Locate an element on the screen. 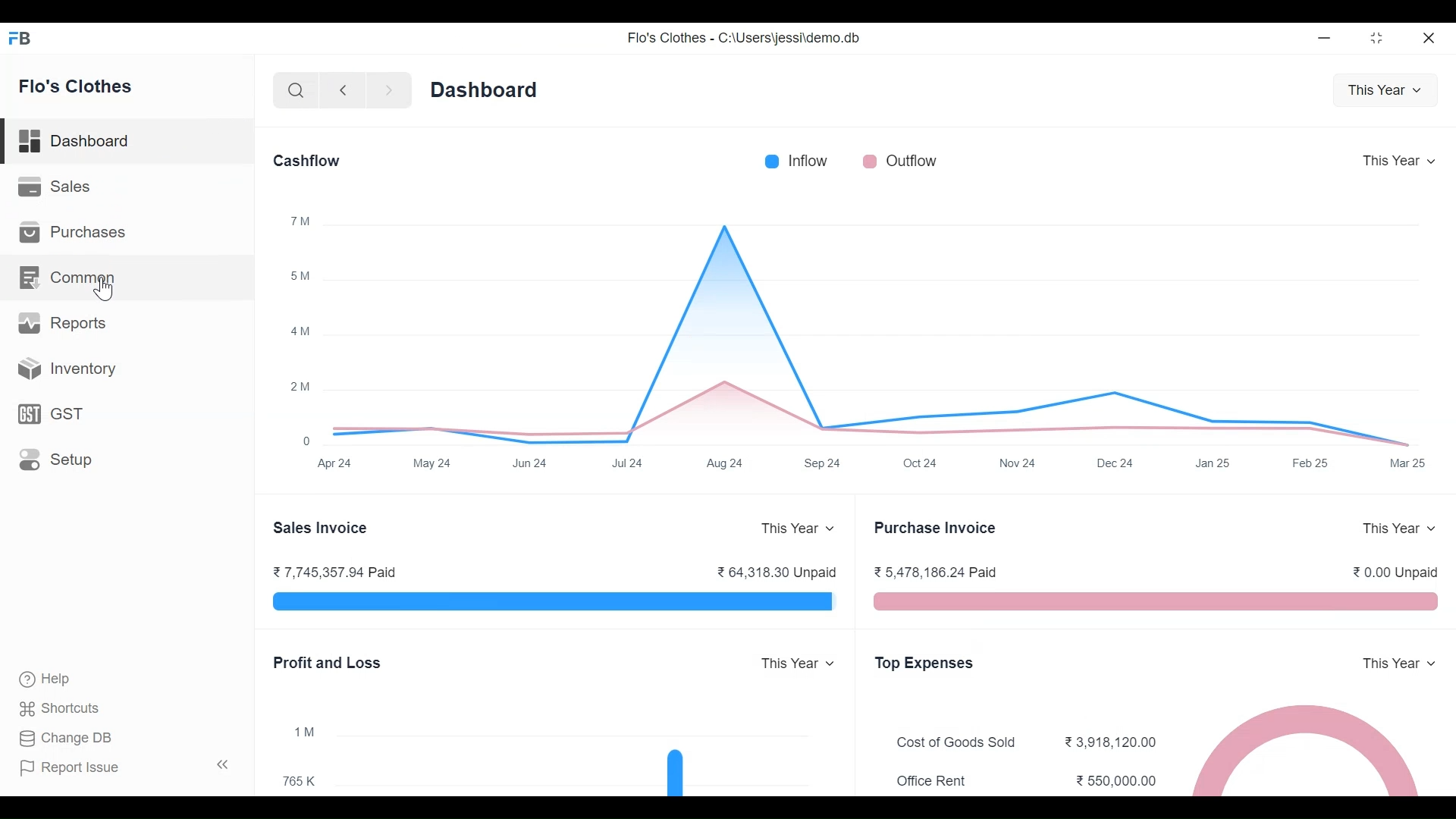 The image size is (1456, 819). 7M is located at coordinates (302, 219).